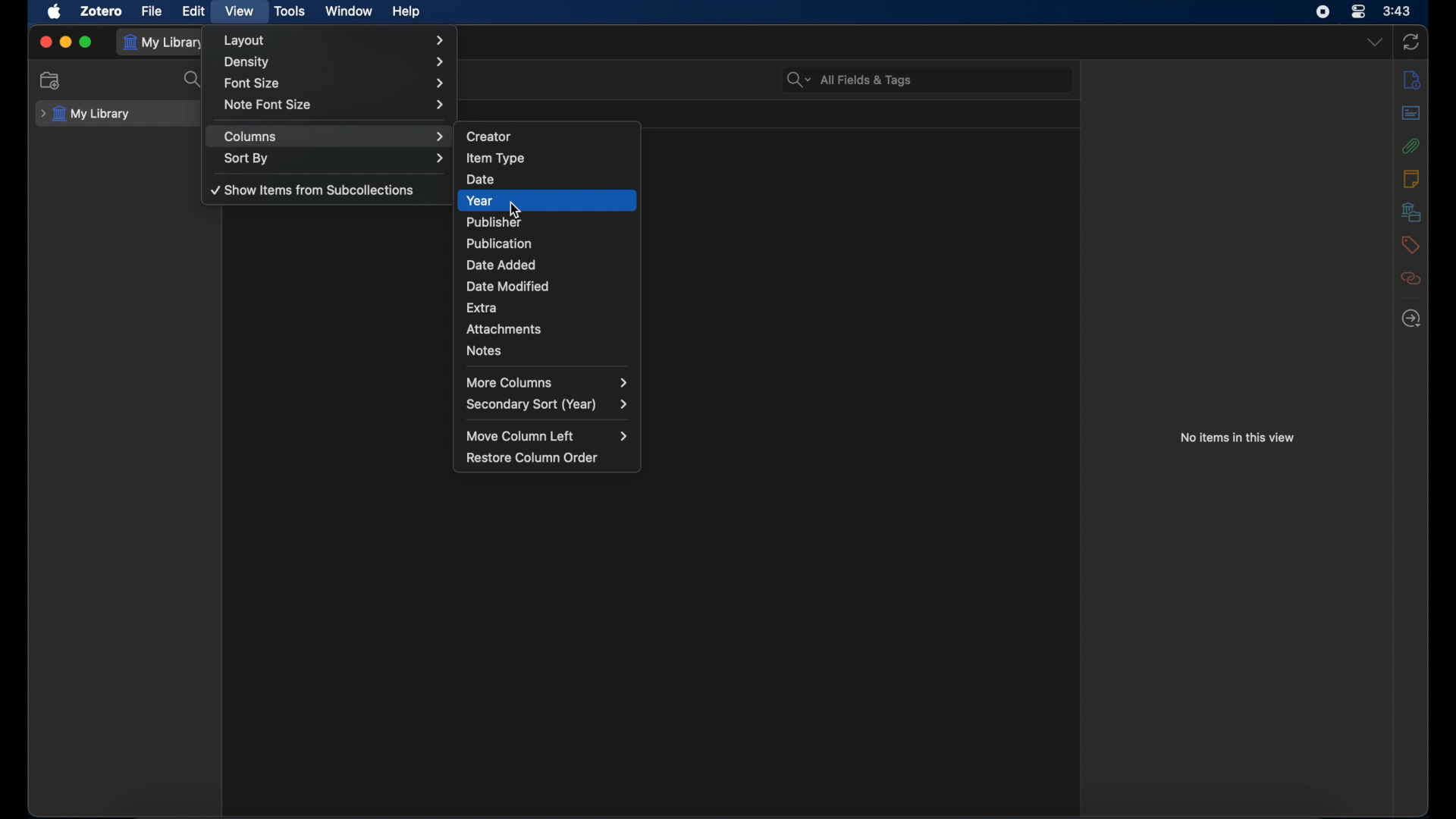 Image resolution: width=1456 pixels, height=819 pixels. Describe the element at coordinates (85, 114) in the screenshot. I see `my library` at that location.